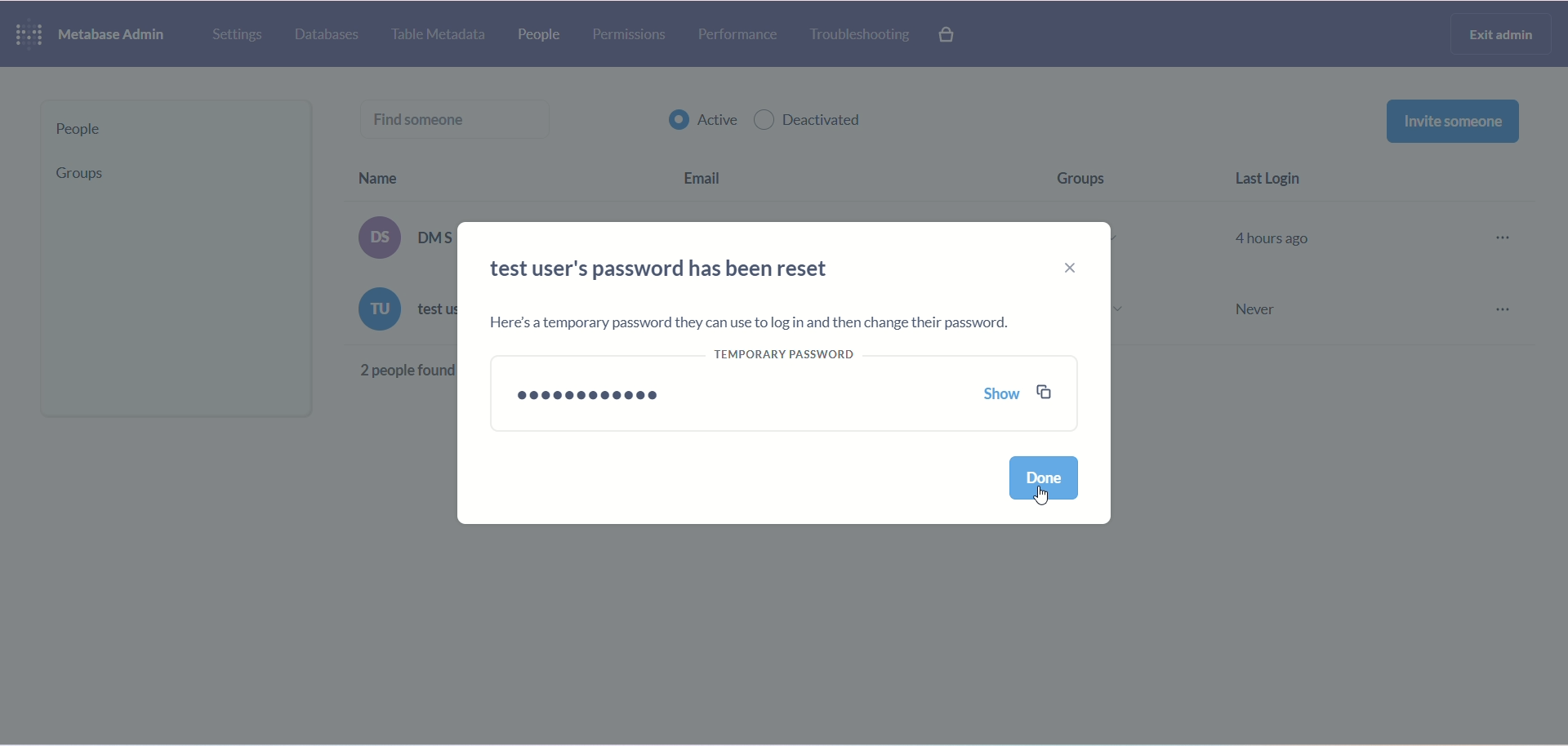 This screenshot has width=1568, height=746. I want to click on text, so click(746, 324).